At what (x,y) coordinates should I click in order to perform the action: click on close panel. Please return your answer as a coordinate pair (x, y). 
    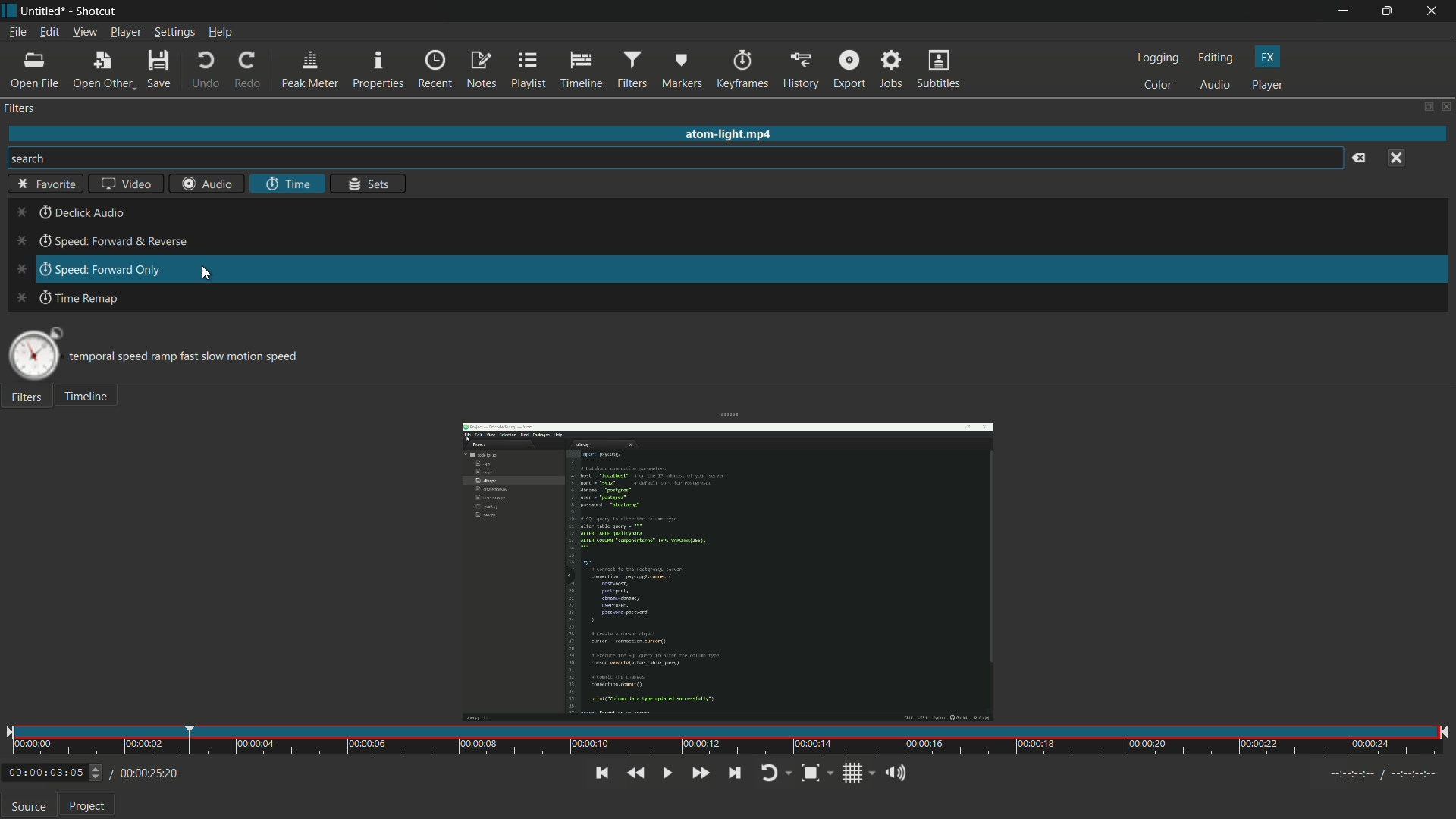
    Looking at the image, I should click on (1447, 106).